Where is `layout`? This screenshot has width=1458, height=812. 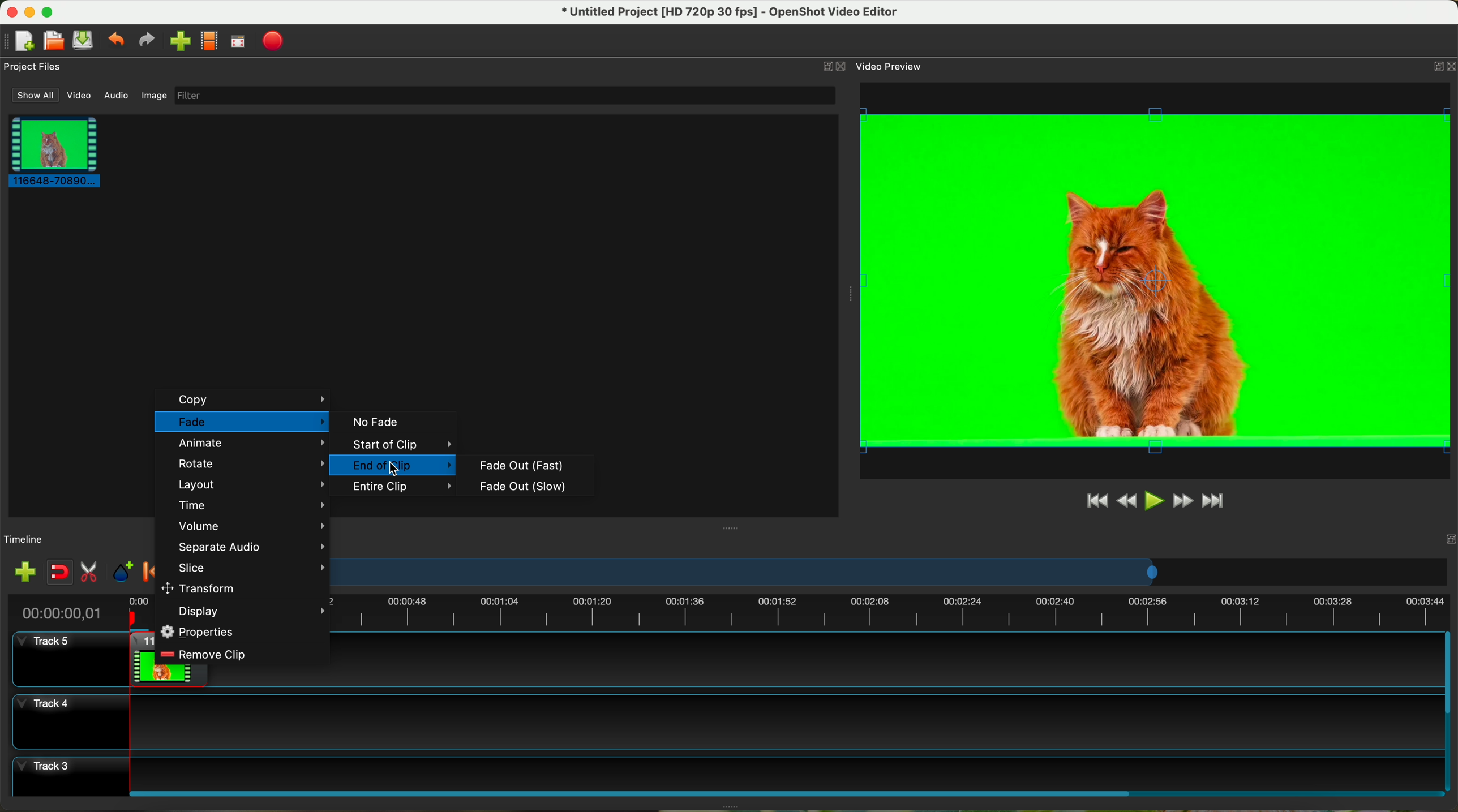
layout is located at coordinates (249, 484).